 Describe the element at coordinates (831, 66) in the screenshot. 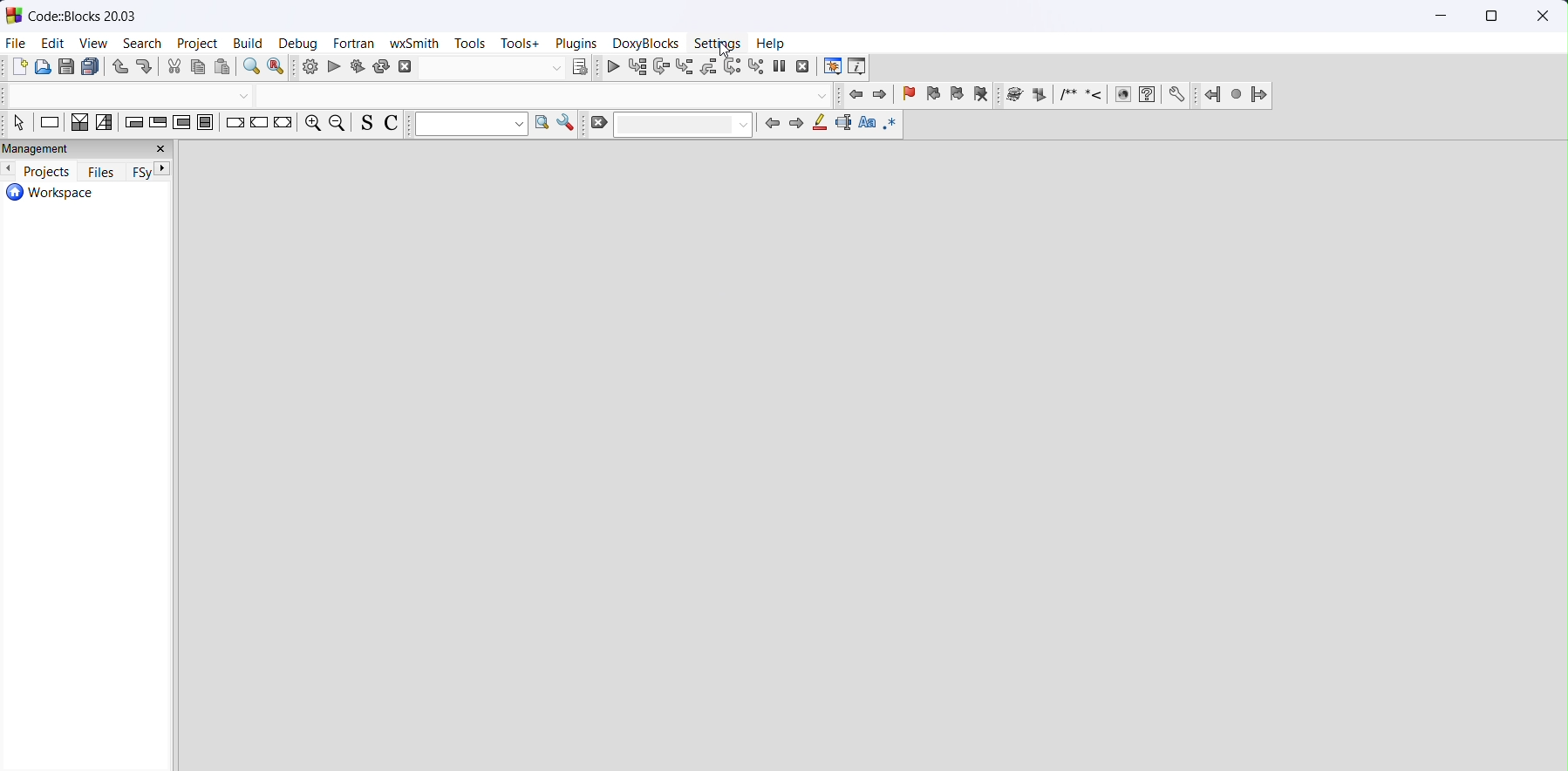

I see `debugging windows` at that location.